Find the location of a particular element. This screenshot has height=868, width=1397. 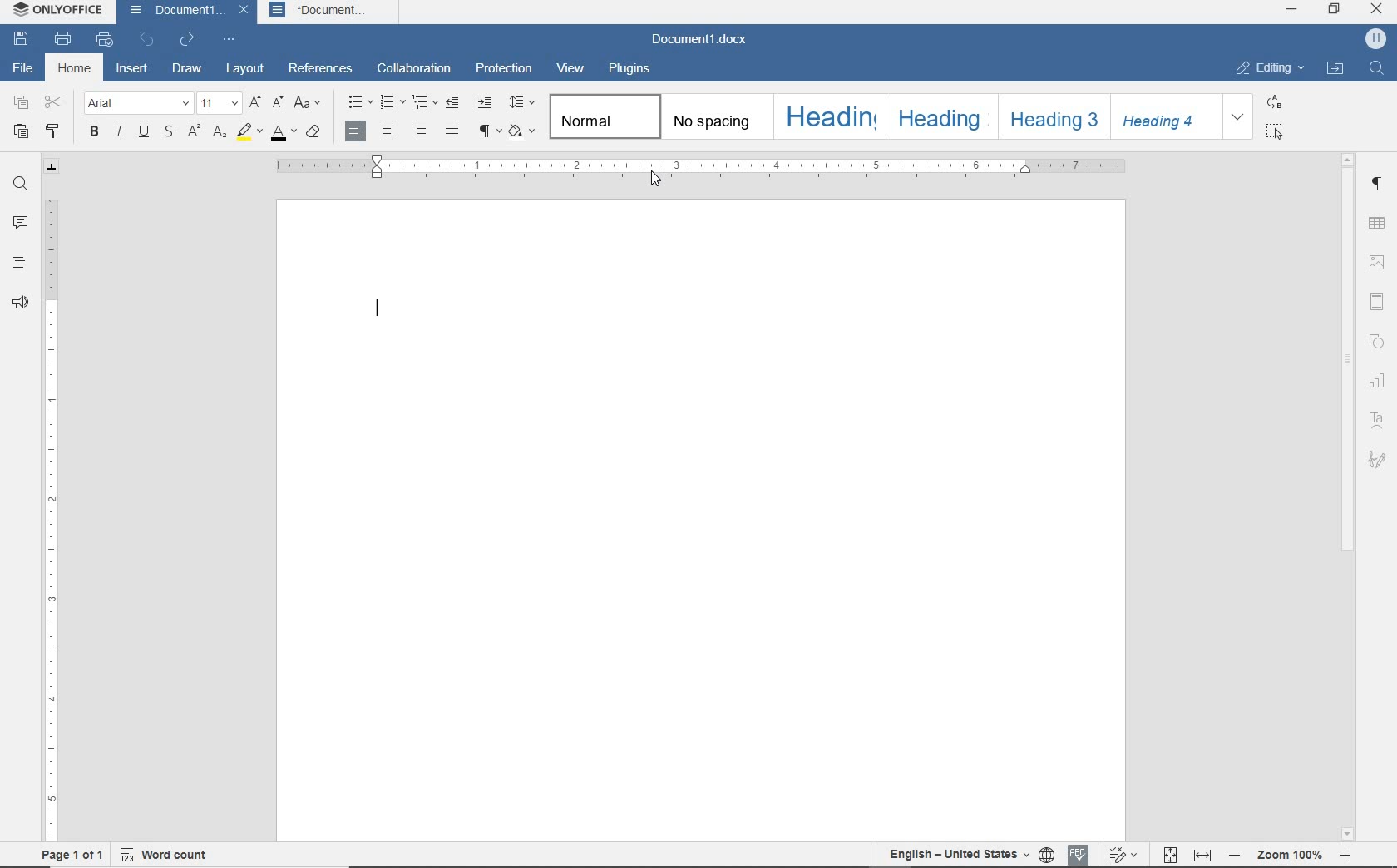

document is located at coordinates (331, 12).